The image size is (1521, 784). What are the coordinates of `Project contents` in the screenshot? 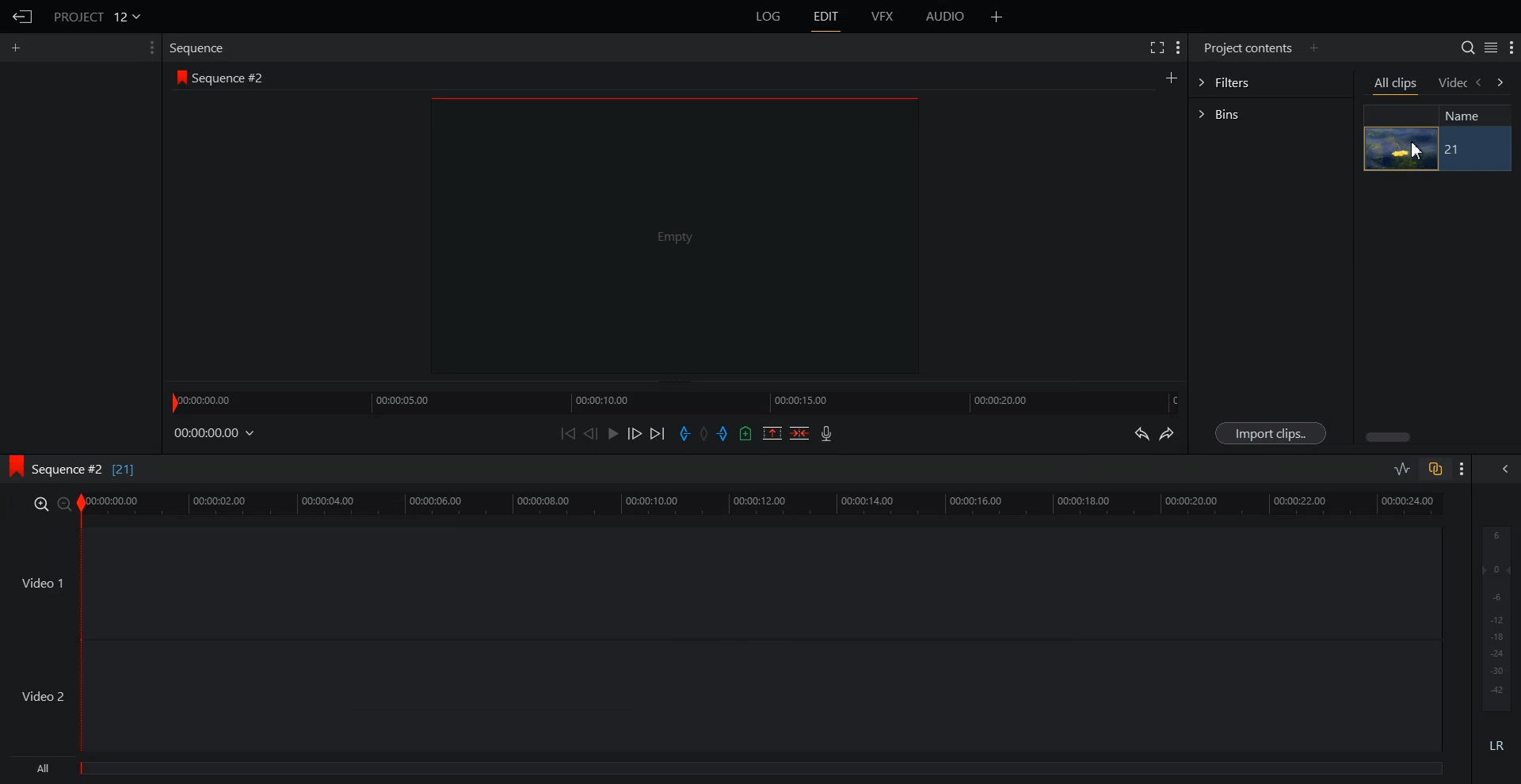 It's located at (1245, 48).